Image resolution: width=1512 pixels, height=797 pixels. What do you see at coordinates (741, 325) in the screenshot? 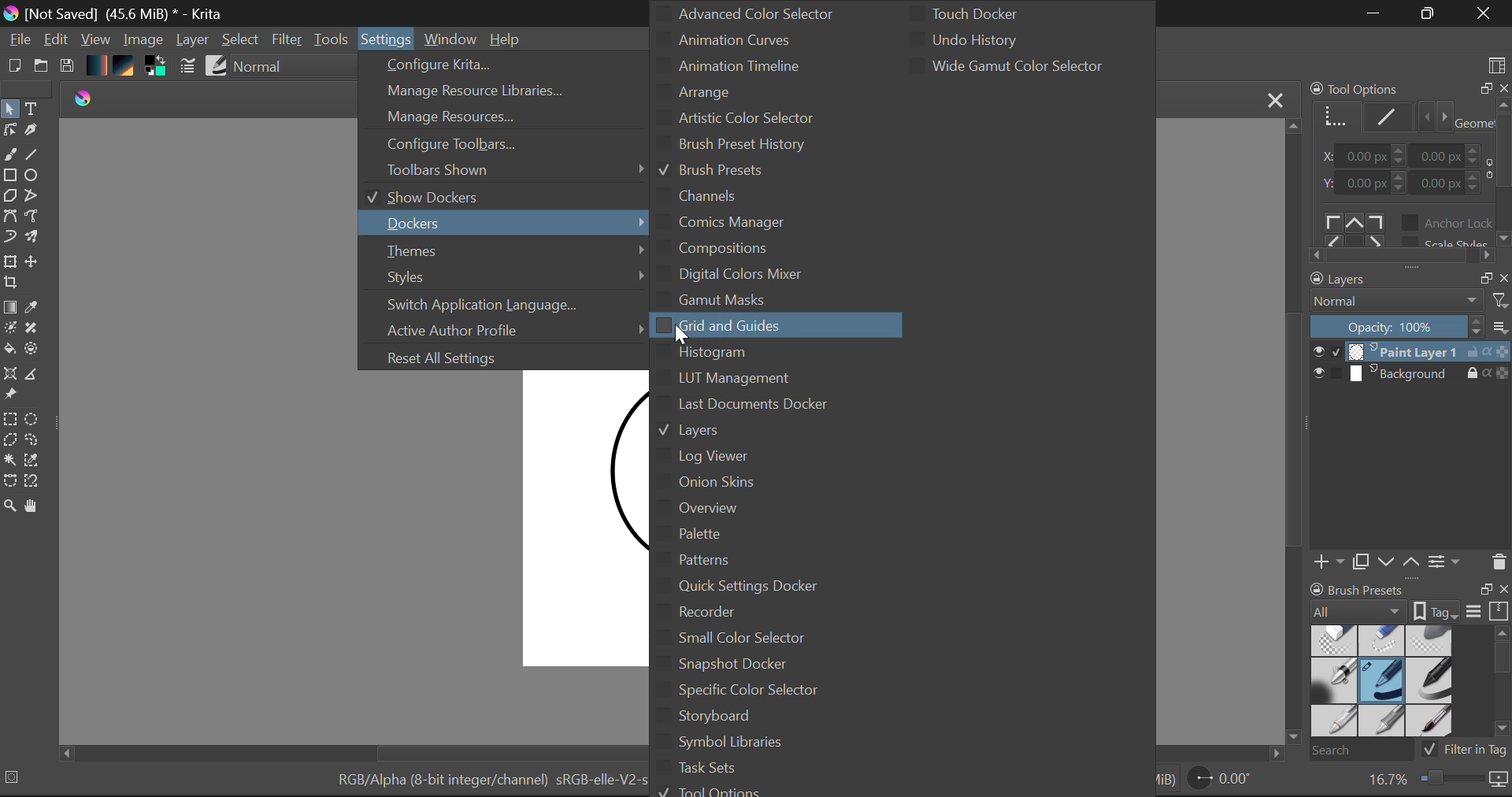
I see `Grid and Guids` at bounding box center [741, 325].